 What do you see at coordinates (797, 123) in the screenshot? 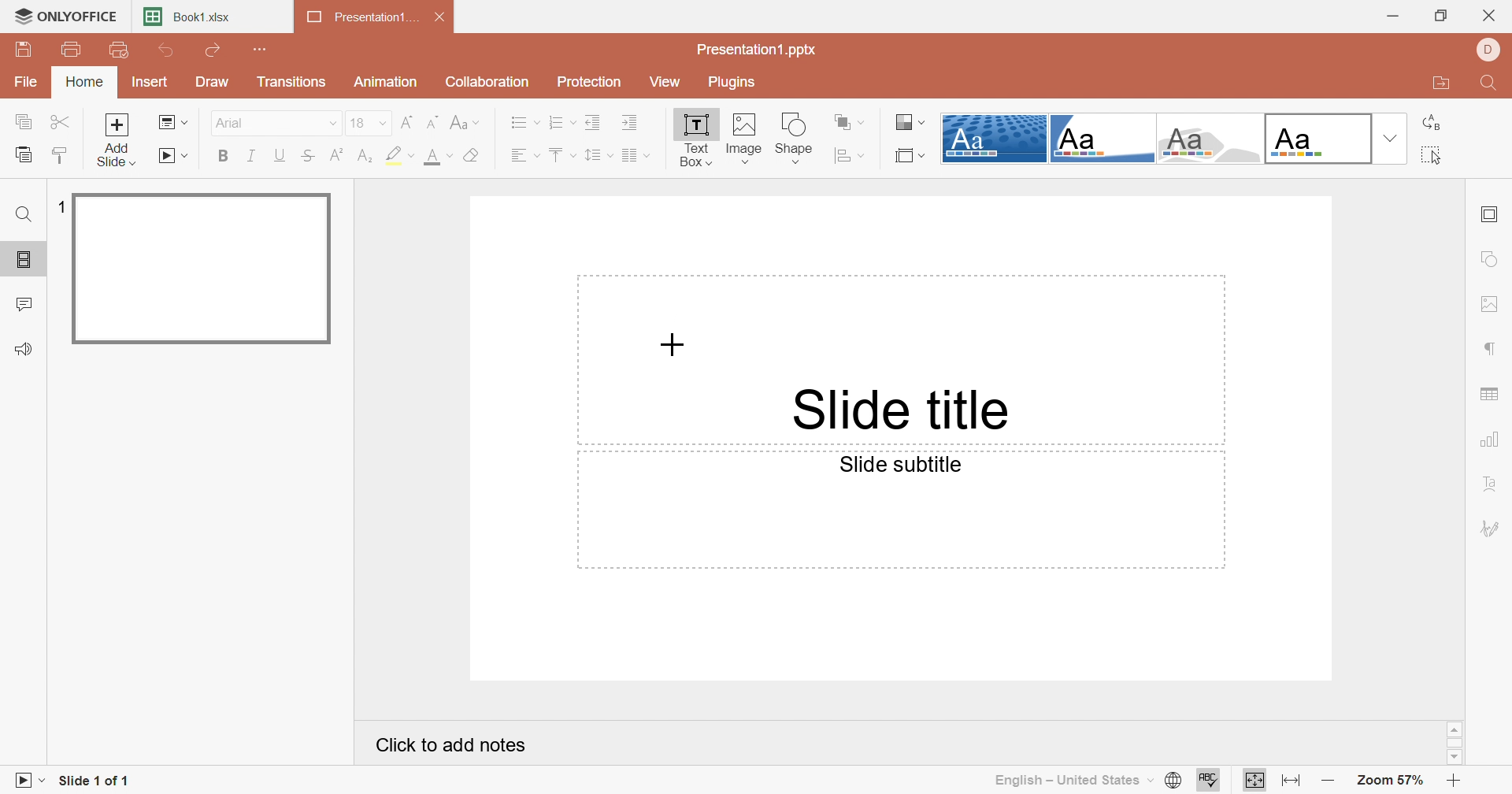
I see `Shape` at bounding box center [797, 123].